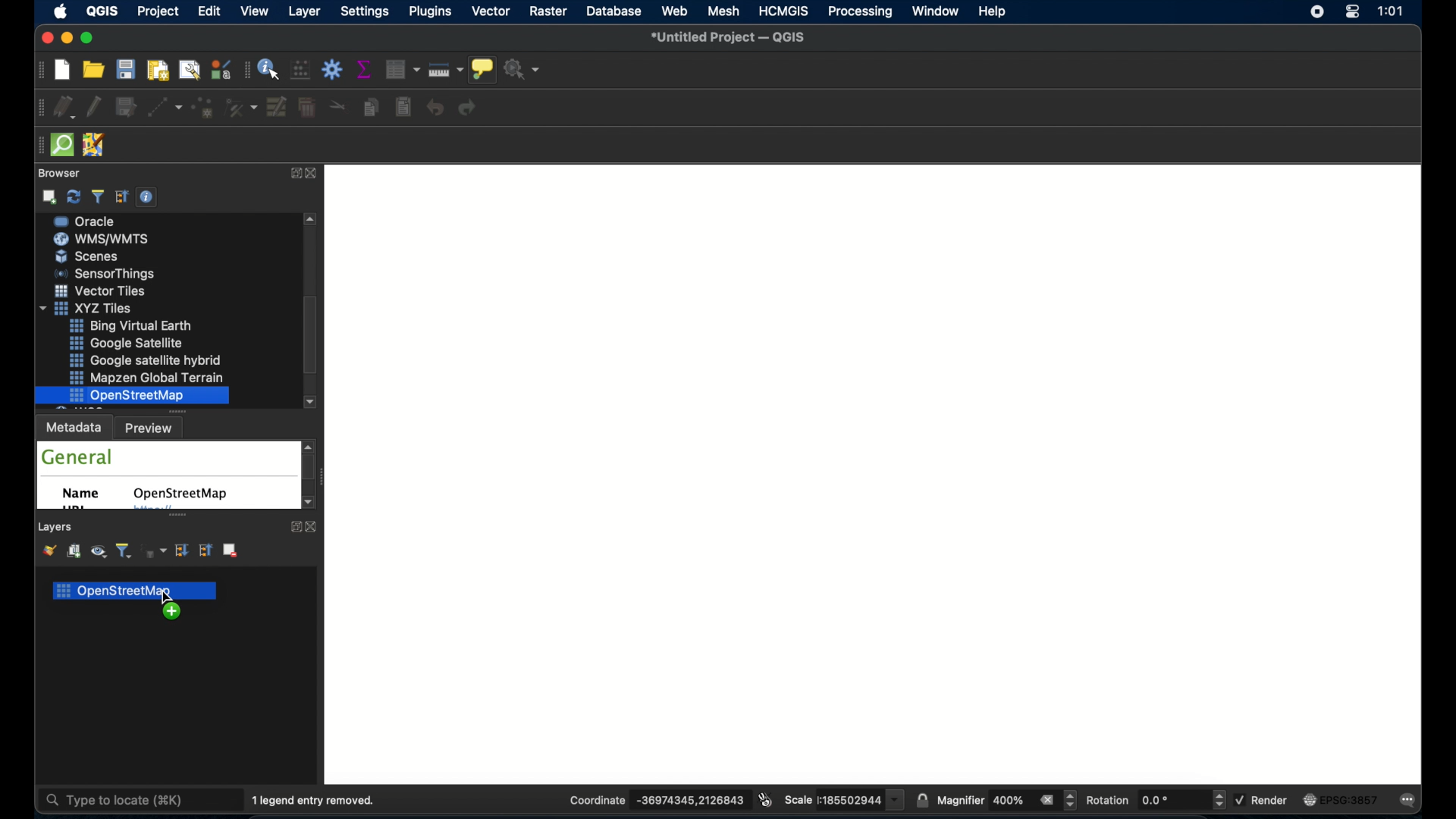 The image size is (1456, 819). What do you see at coordinates (96, 196) in the screenshot?
I see `filter browser` at bounding box center [96, 196].